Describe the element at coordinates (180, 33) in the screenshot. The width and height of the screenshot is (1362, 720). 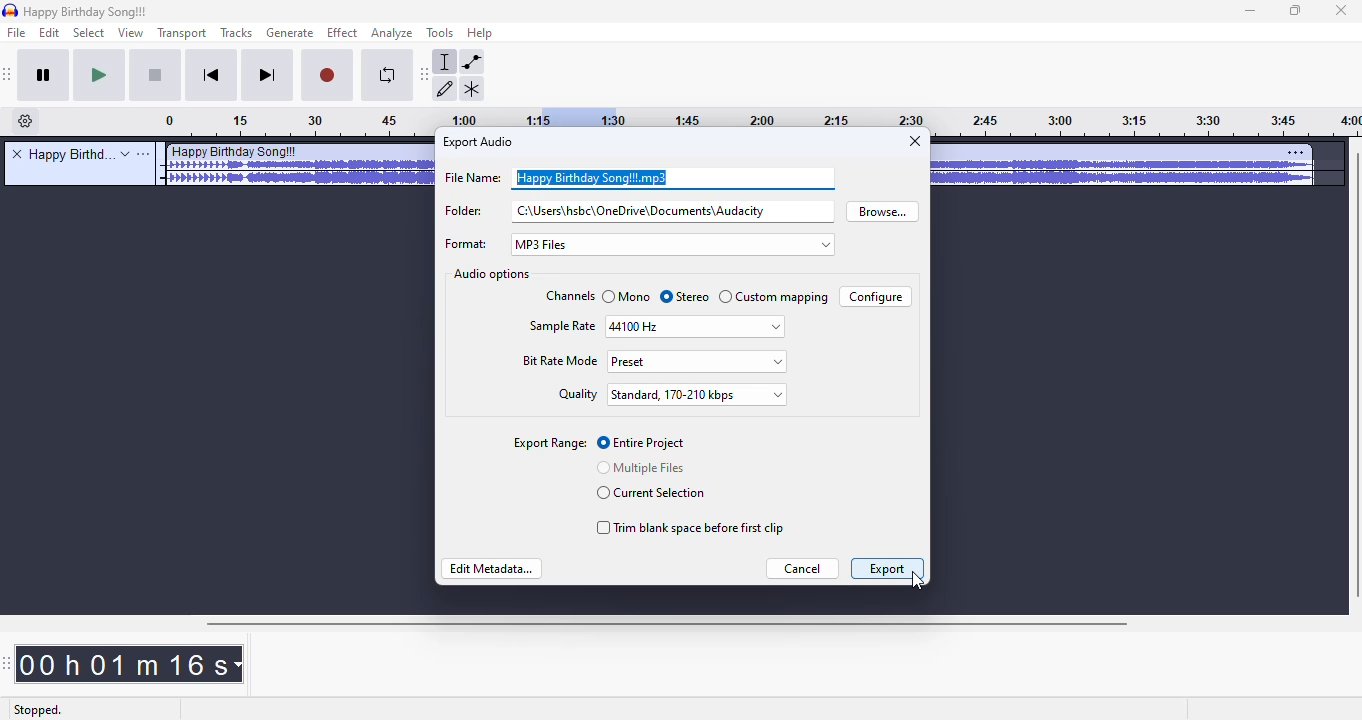
I see `transport` at that location.